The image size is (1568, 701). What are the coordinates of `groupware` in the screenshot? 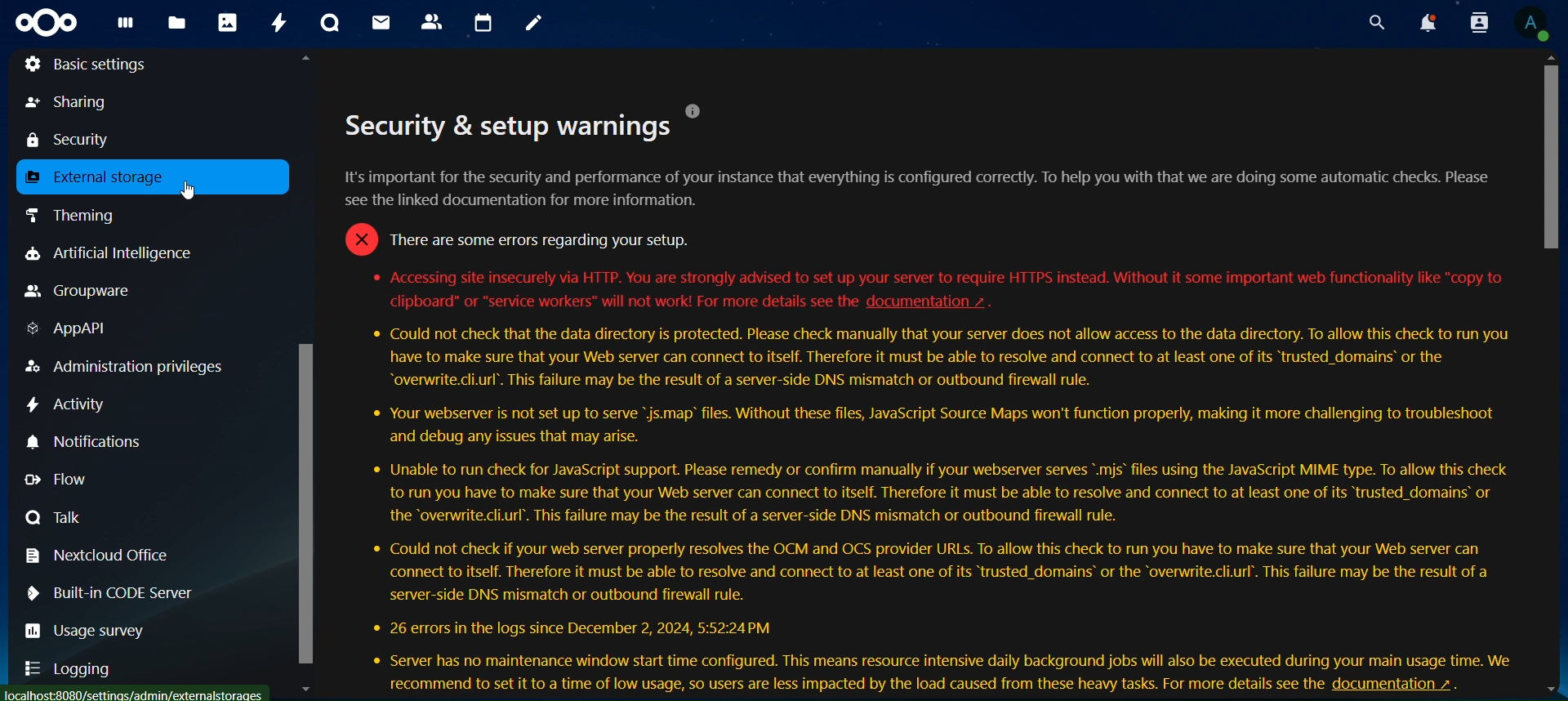 It's located at (79, 292).